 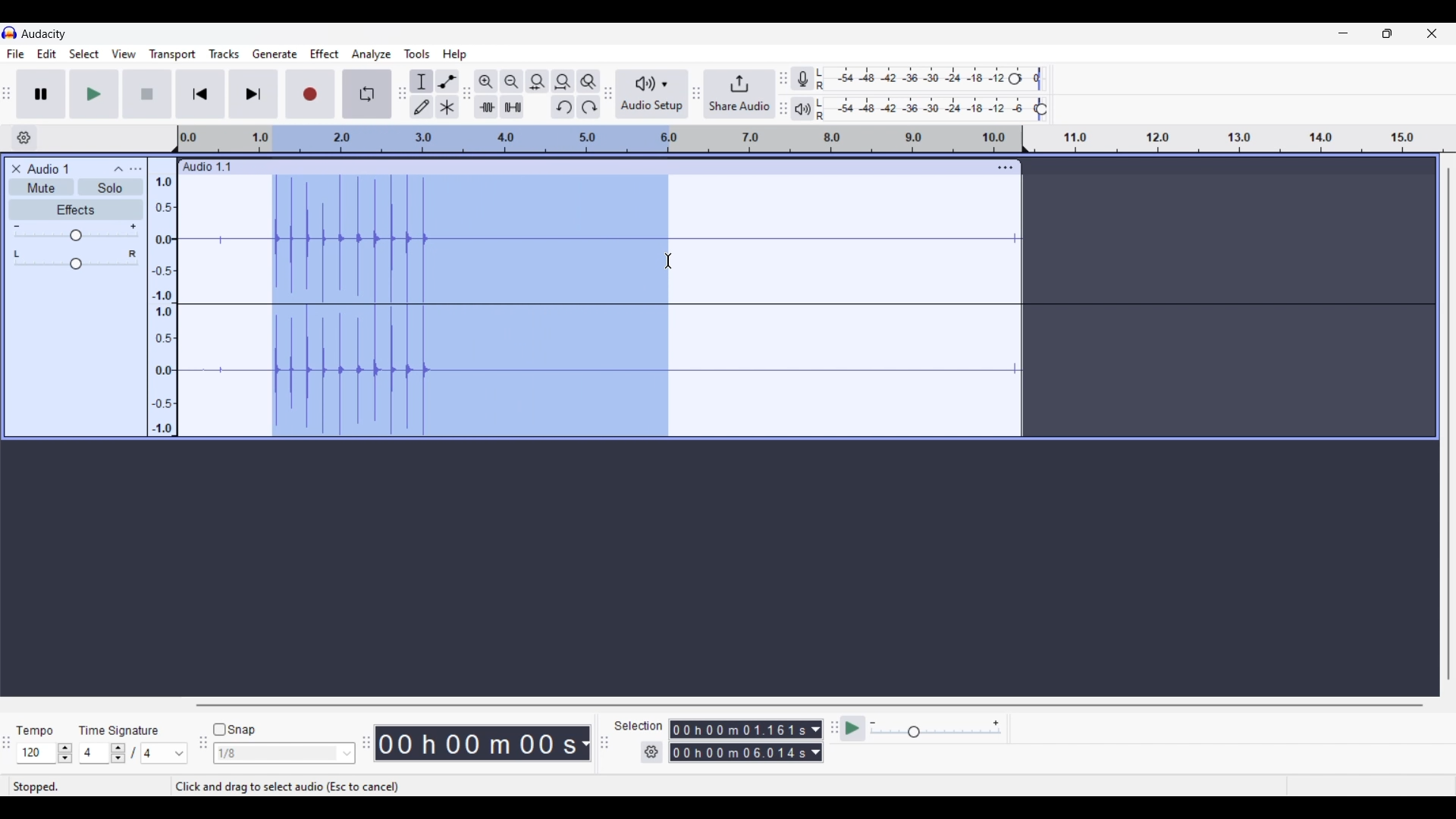 I want to click on Type in snap, so click(x=277, y=754).